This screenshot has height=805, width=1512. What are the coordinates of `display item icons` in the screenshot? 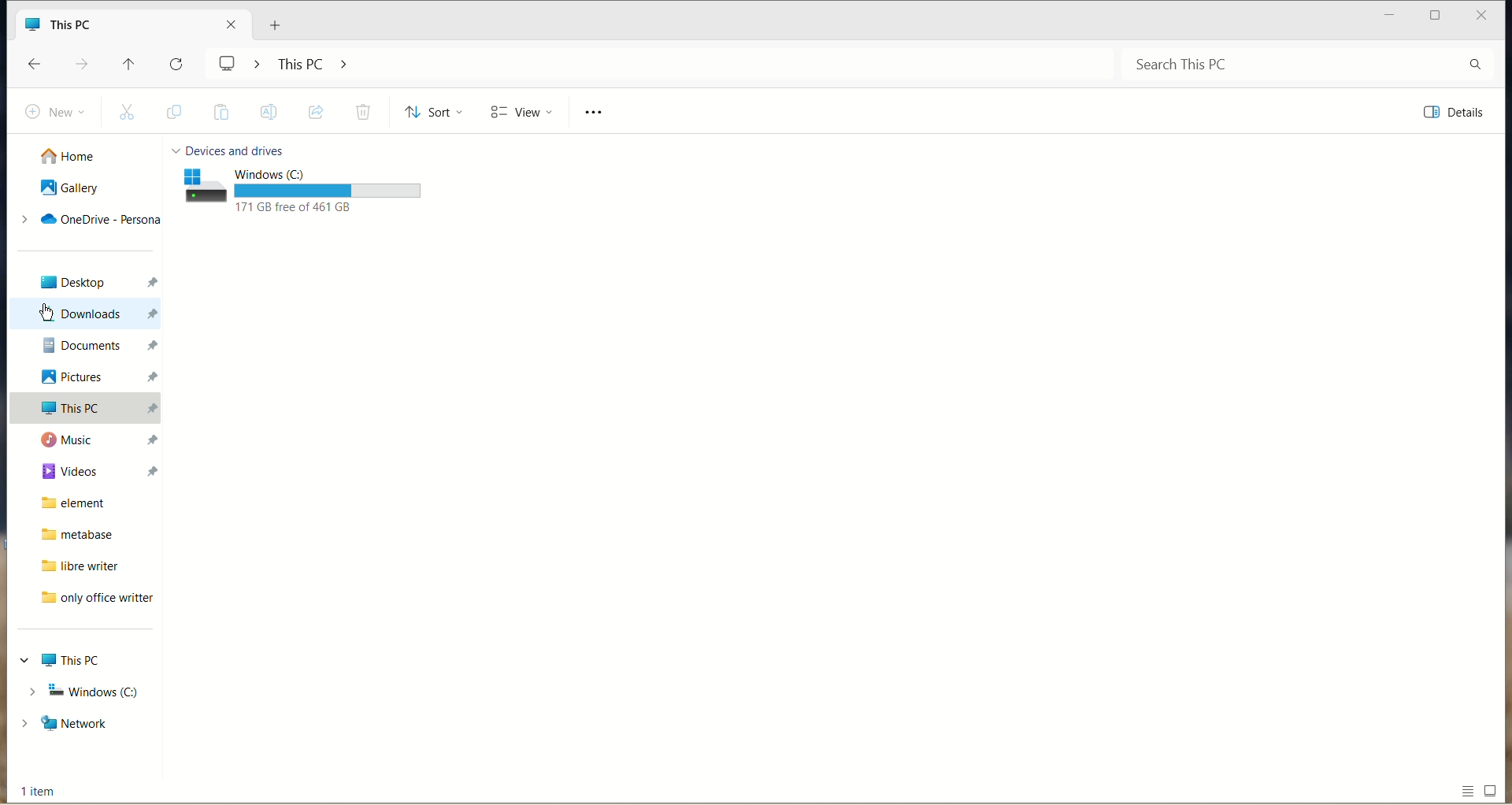 It's located at (1493, 789).